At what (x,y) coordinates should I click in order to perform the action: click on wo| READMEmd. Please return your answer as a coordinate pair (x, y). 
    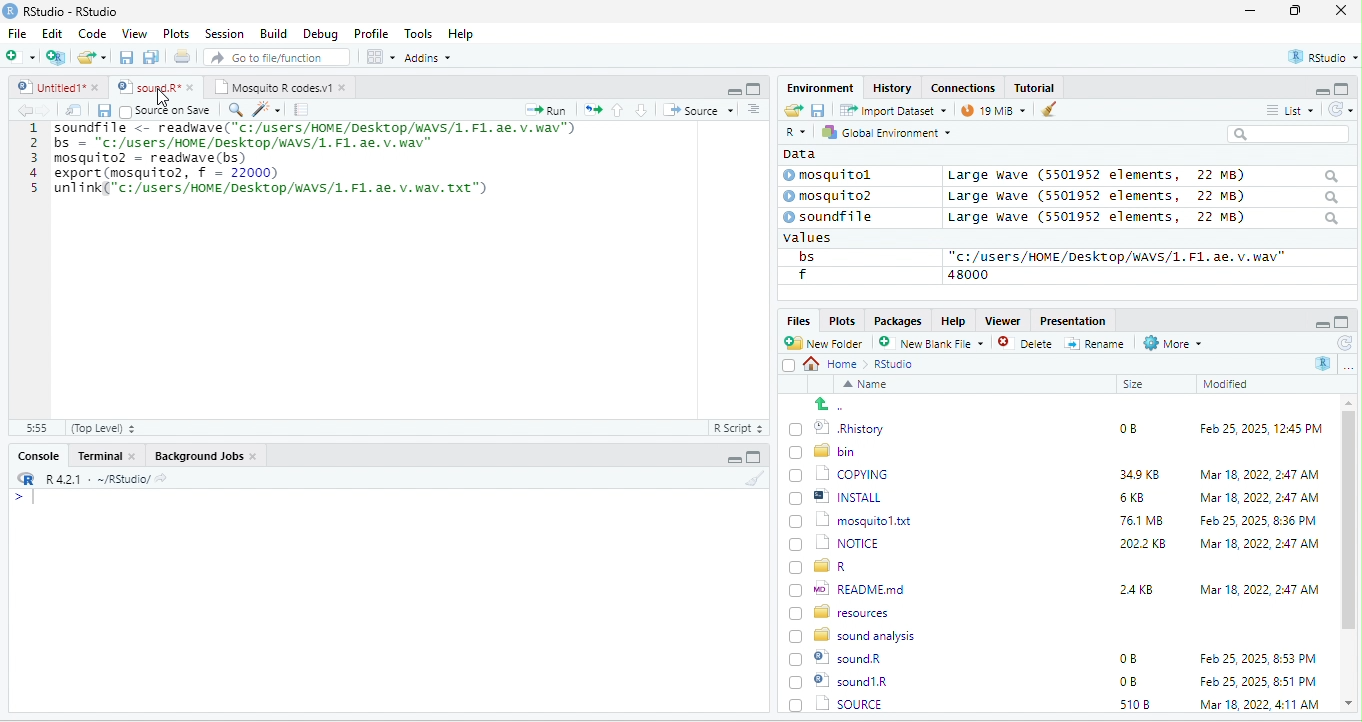
    Looking at the image, I should click on (852, 588).